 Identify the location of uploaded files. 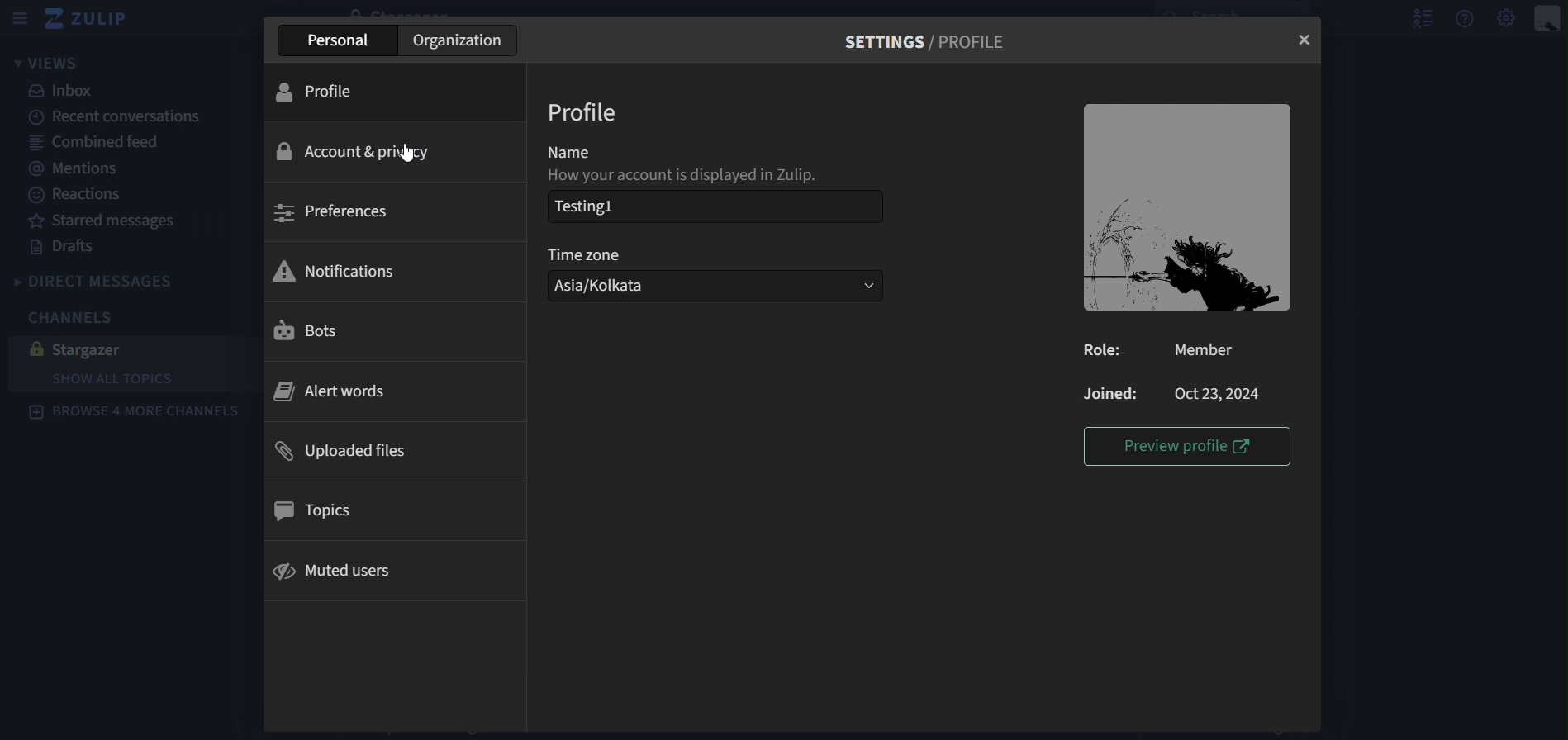
(359, 448).